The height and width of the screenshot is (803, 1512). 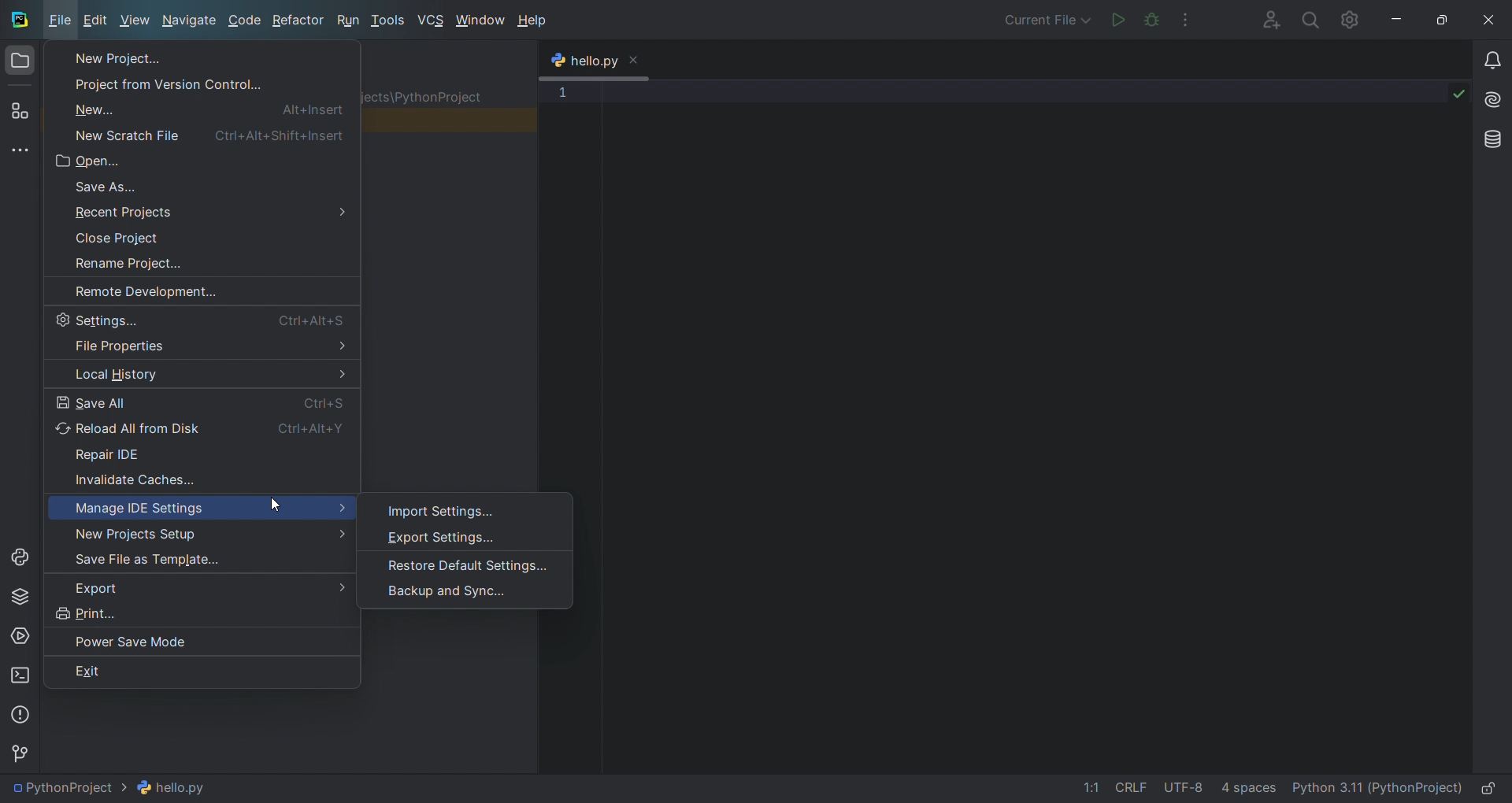 I want to click on open, so click(x=202, y=160).